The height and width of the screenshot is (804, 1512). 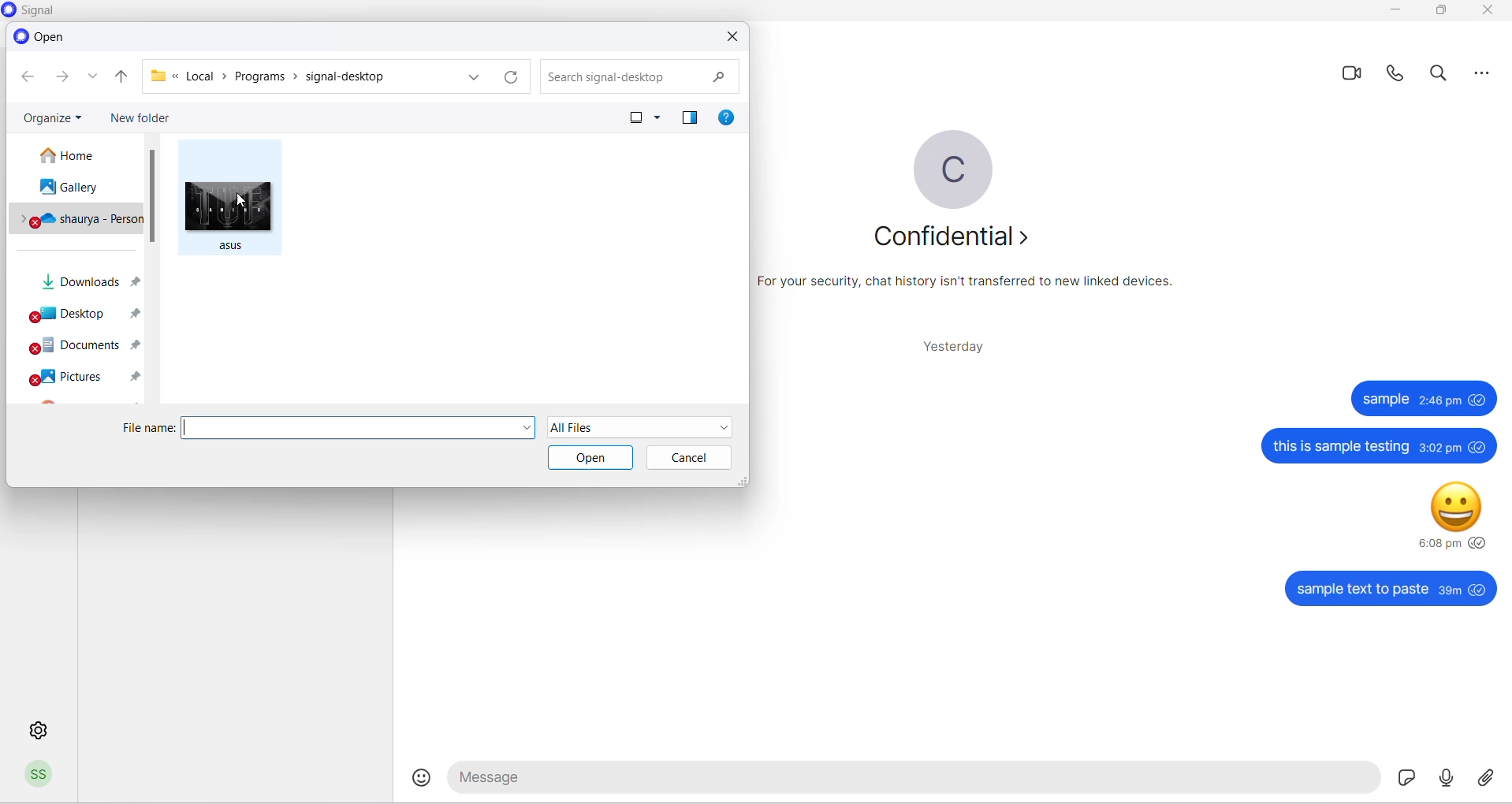 What do you see at coordinates (511, 77) in the screenshot?
I see `refresh` at bounding box center [511, 77].